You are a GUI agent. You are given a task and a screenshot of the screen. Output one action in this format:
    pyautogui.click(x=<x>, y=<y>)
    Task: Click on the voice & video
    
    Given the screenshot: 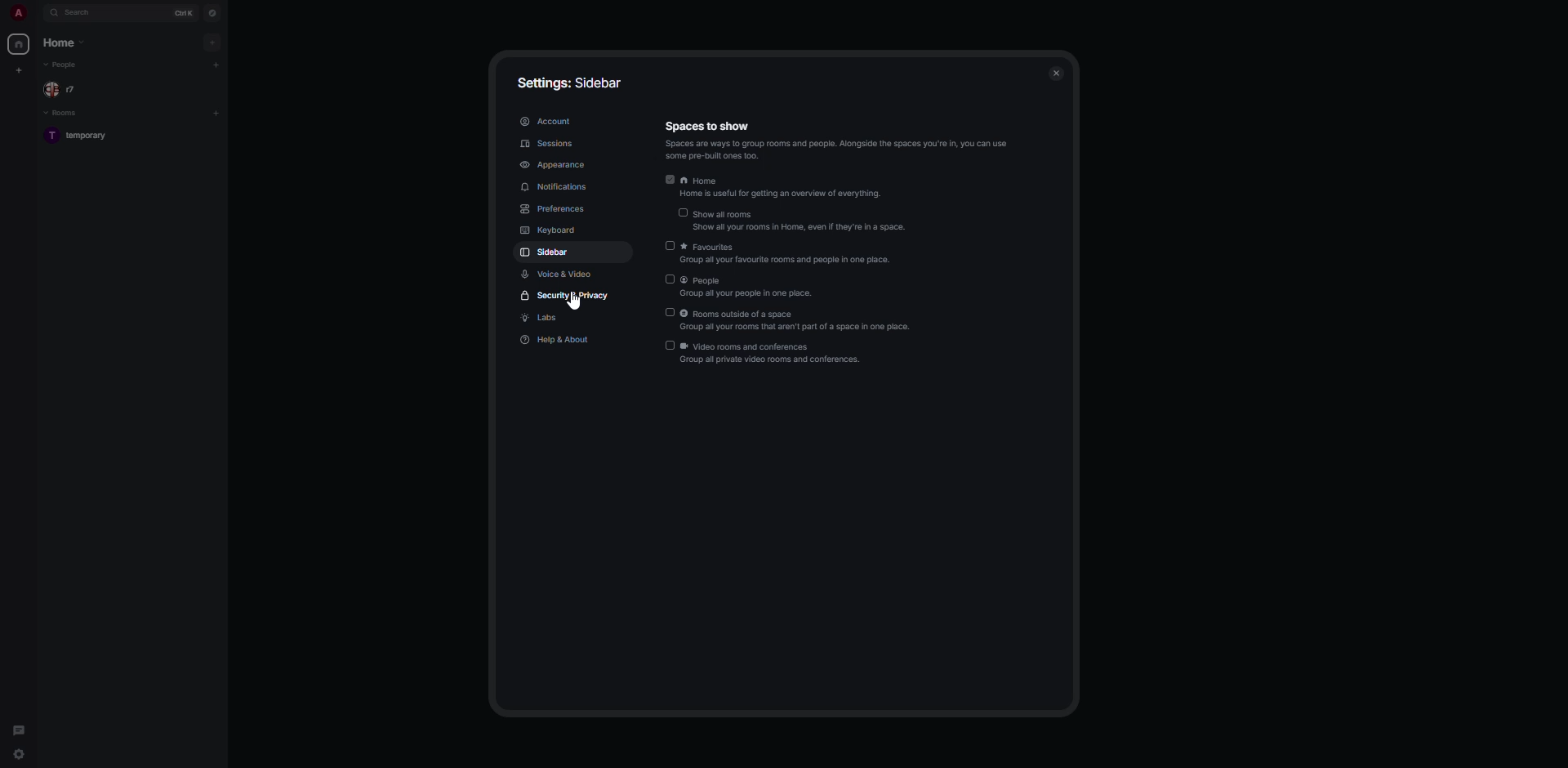 What is the action you would take?
    pyautogui.click(x=561, y=274)
    